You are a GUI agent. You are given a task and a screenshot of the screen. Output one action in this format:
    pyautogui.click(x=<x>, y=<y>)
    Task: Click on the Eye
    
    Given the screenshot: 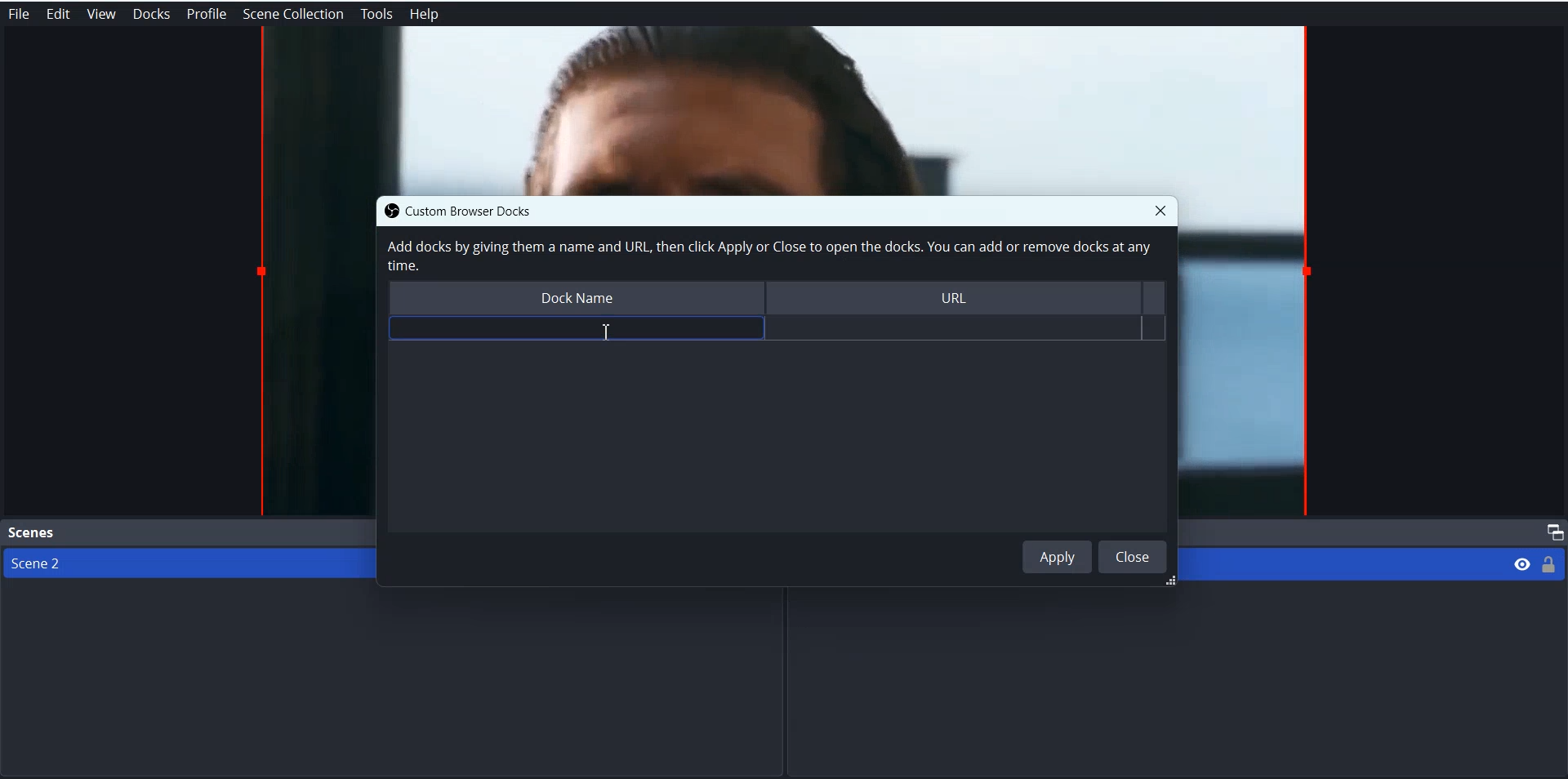 What is the action you would take?
    pyautogui.click(x=1522, y=563)
    